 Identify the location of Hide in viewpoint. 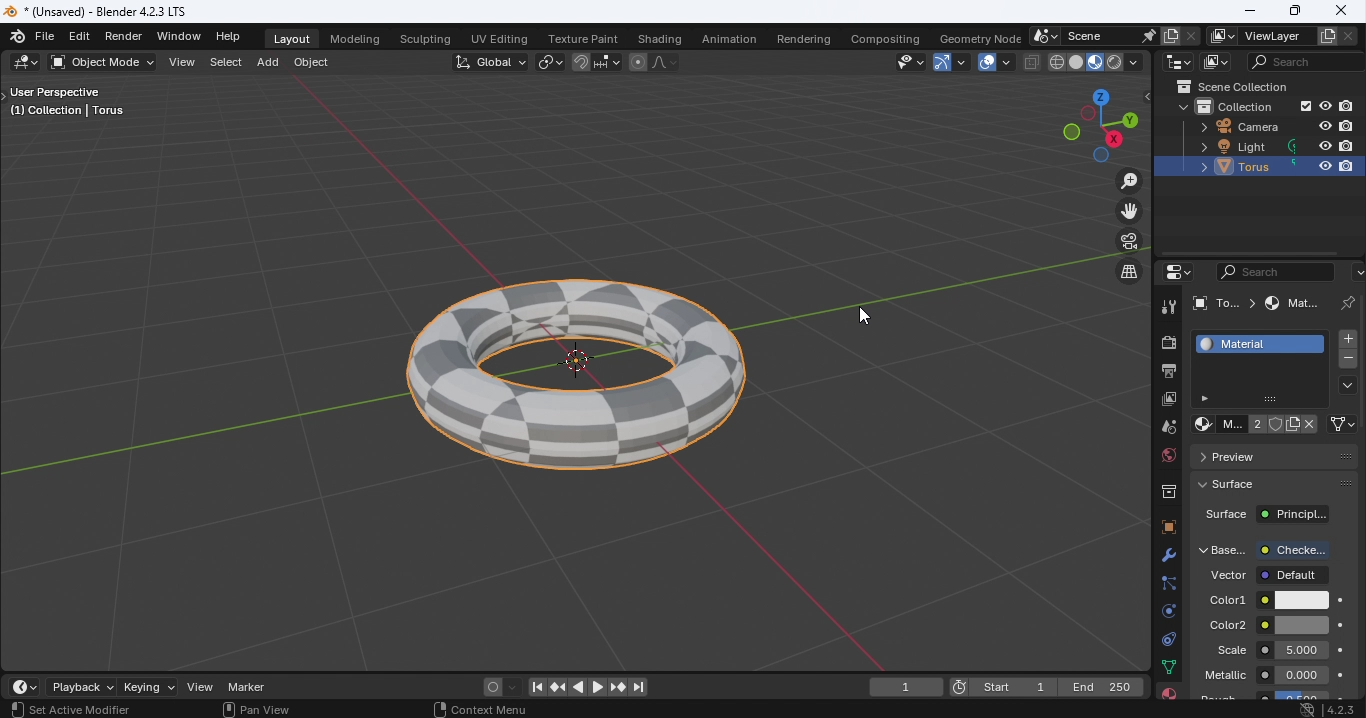
(1321, 166).